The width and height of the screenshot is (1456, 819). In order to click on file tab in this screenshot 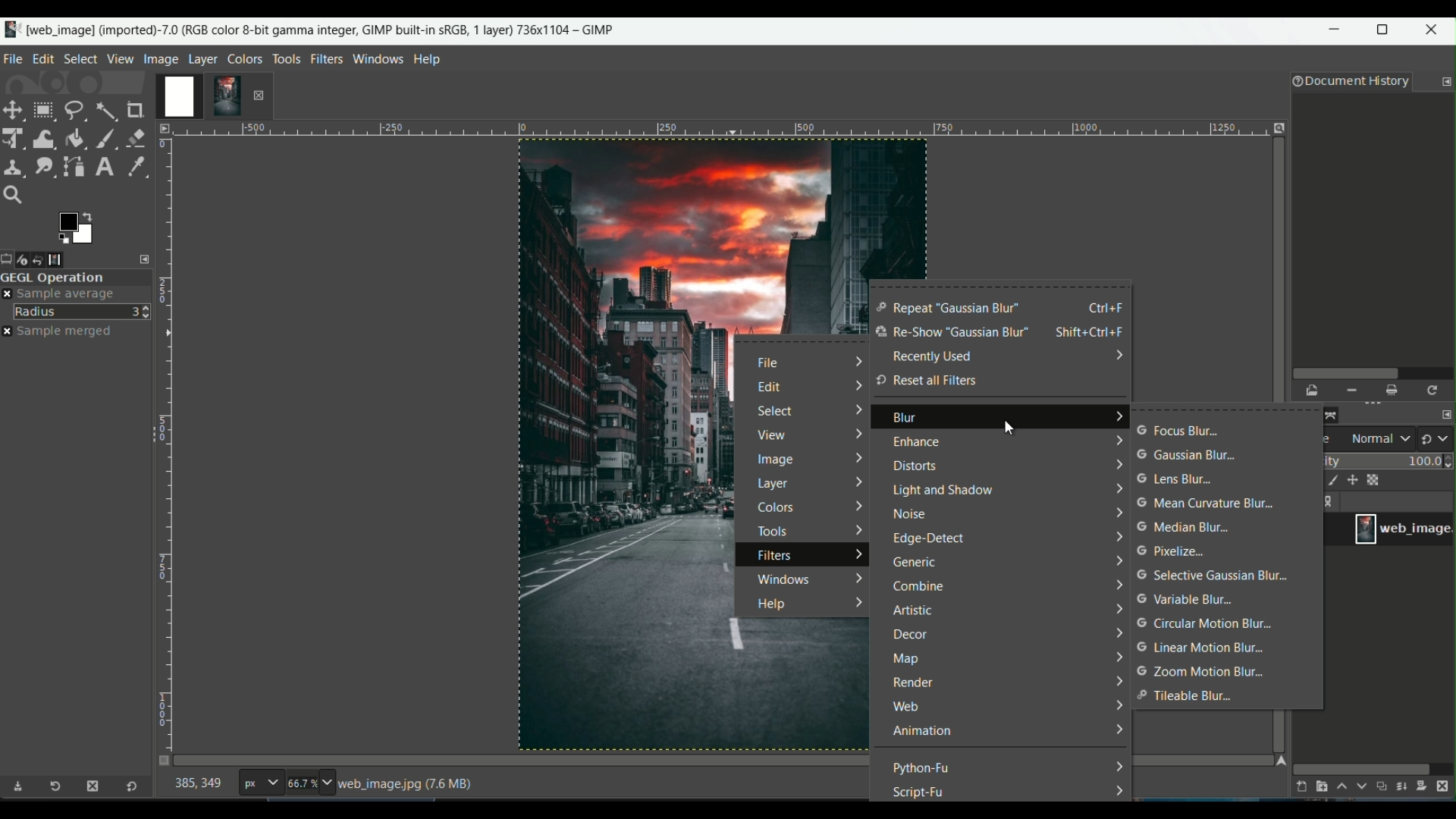, I will do `click(14, 57)`.